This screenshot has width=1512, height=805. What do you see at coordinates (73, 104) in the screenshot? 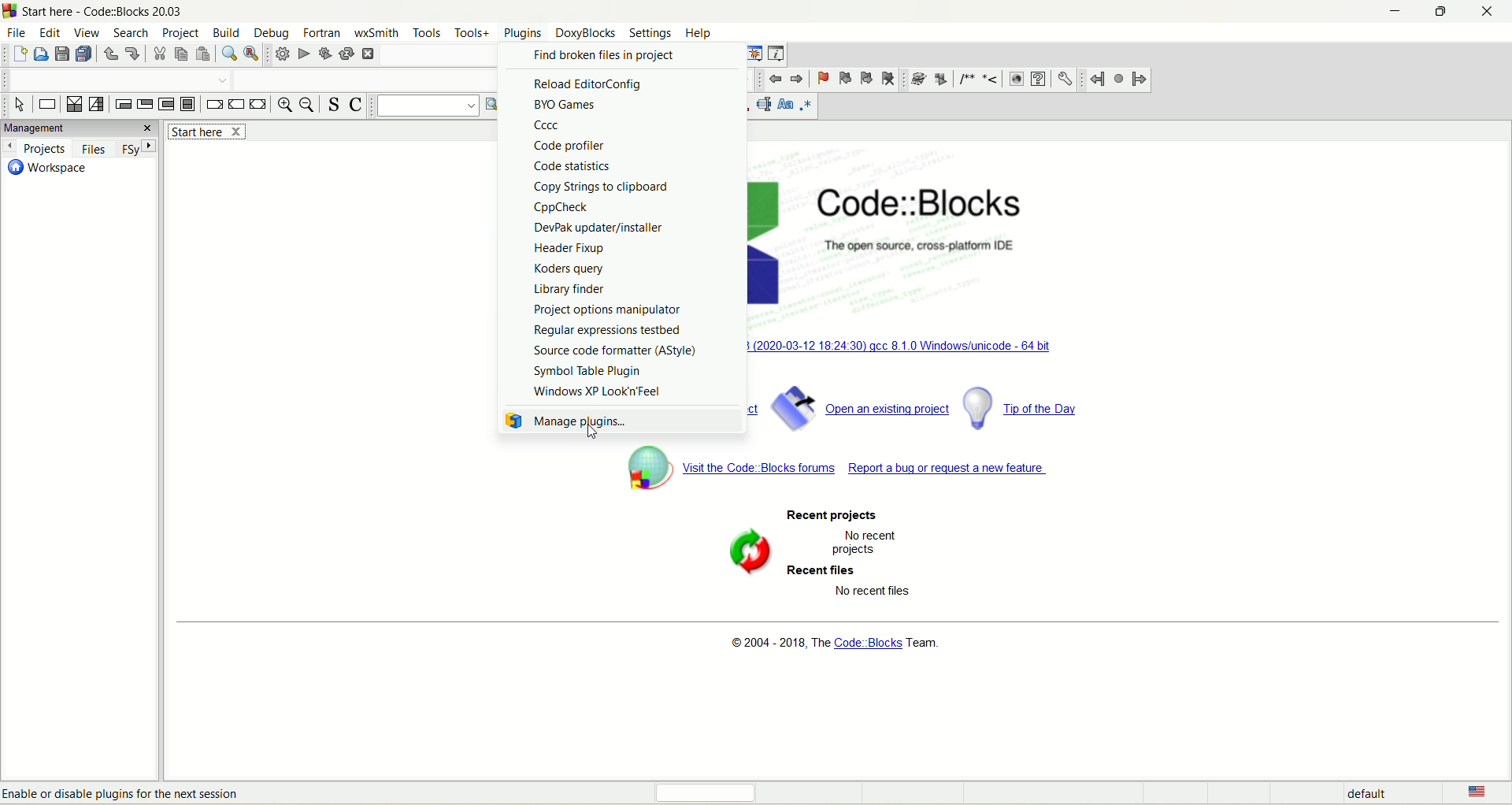
I see `decision` at bounding box center [73, 104].